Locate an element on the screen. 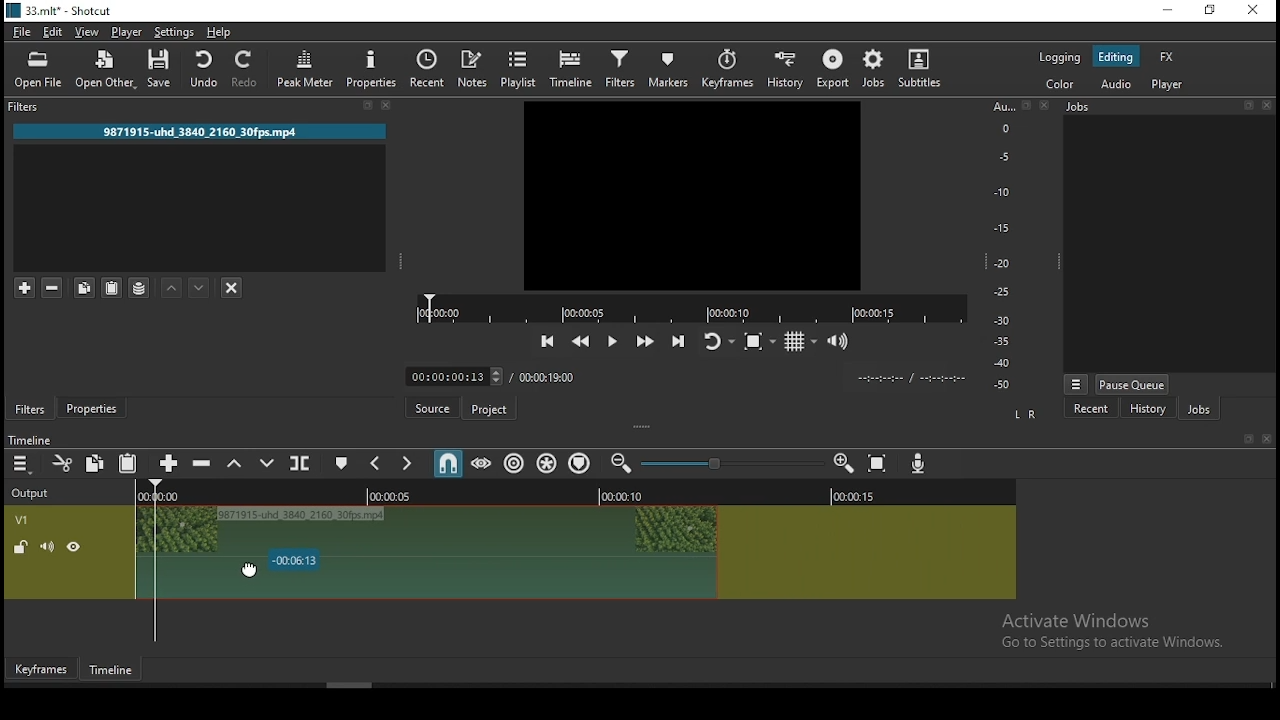 The image size is (1280, 720). view/hide is located at coordinates (74, 547).